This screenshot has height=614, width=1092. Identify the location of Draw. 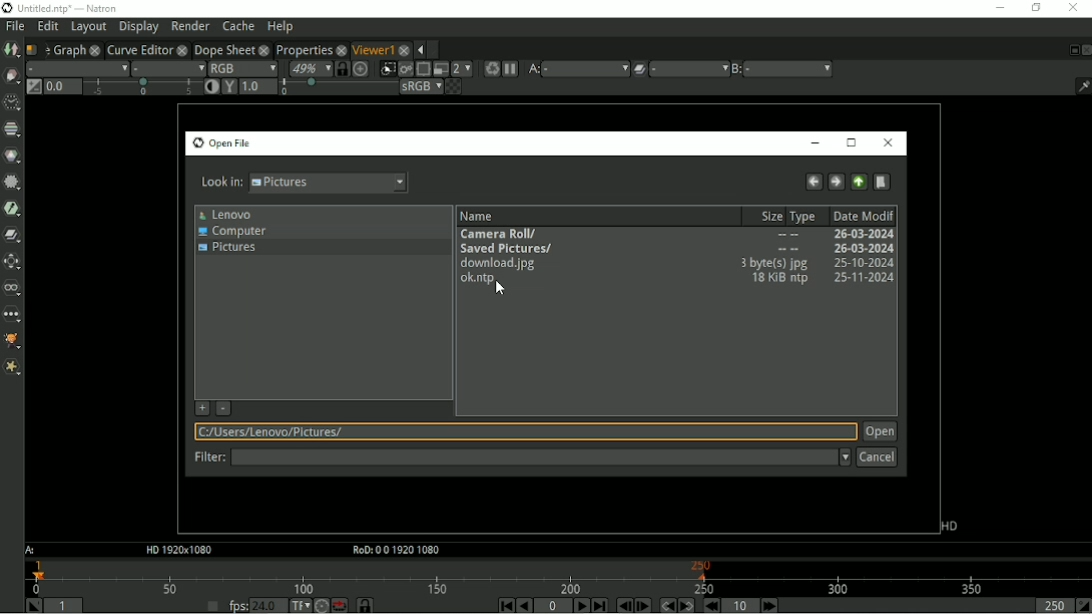
(12, 76).